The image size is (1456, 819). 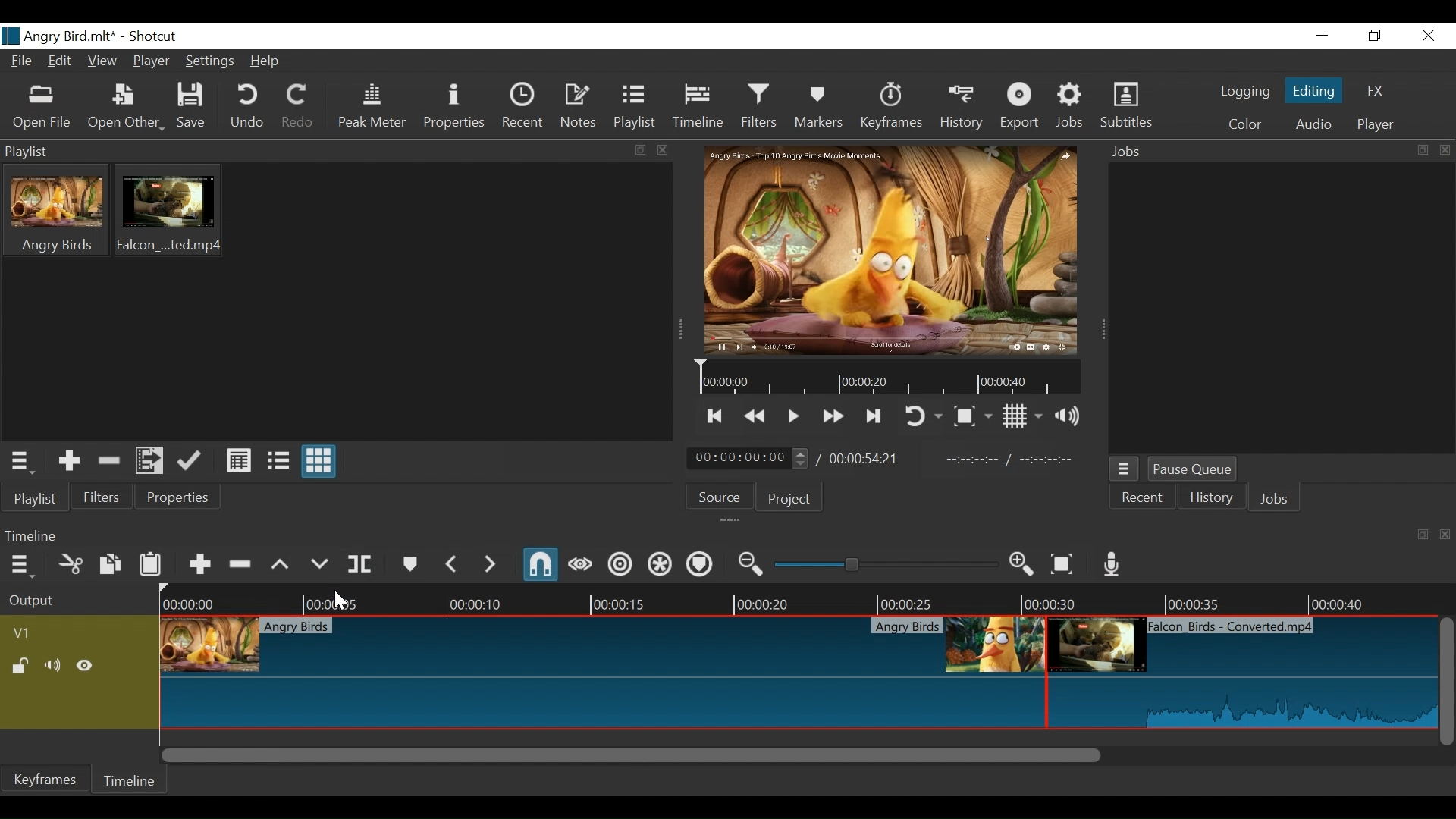 What do you see at coordinates (788, 500) in the screenshot?
I see `Project` at bounding box center [788, 500].